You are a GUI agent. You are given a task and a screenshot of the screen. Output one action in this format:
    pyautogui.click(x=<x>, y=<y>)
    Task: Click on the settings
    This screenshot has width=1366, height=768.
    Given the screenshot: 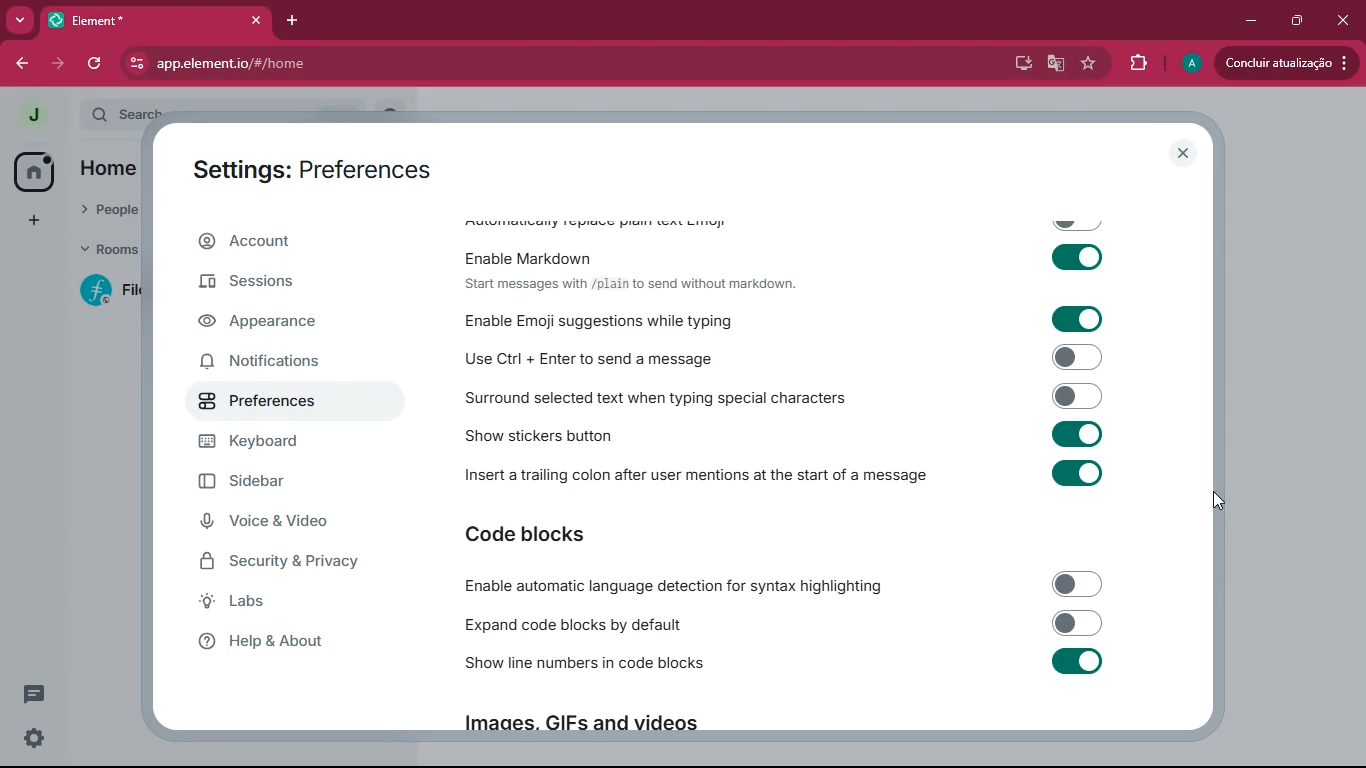 What is the action you would take?
    pyautogui.click(x=29, y=740)
    